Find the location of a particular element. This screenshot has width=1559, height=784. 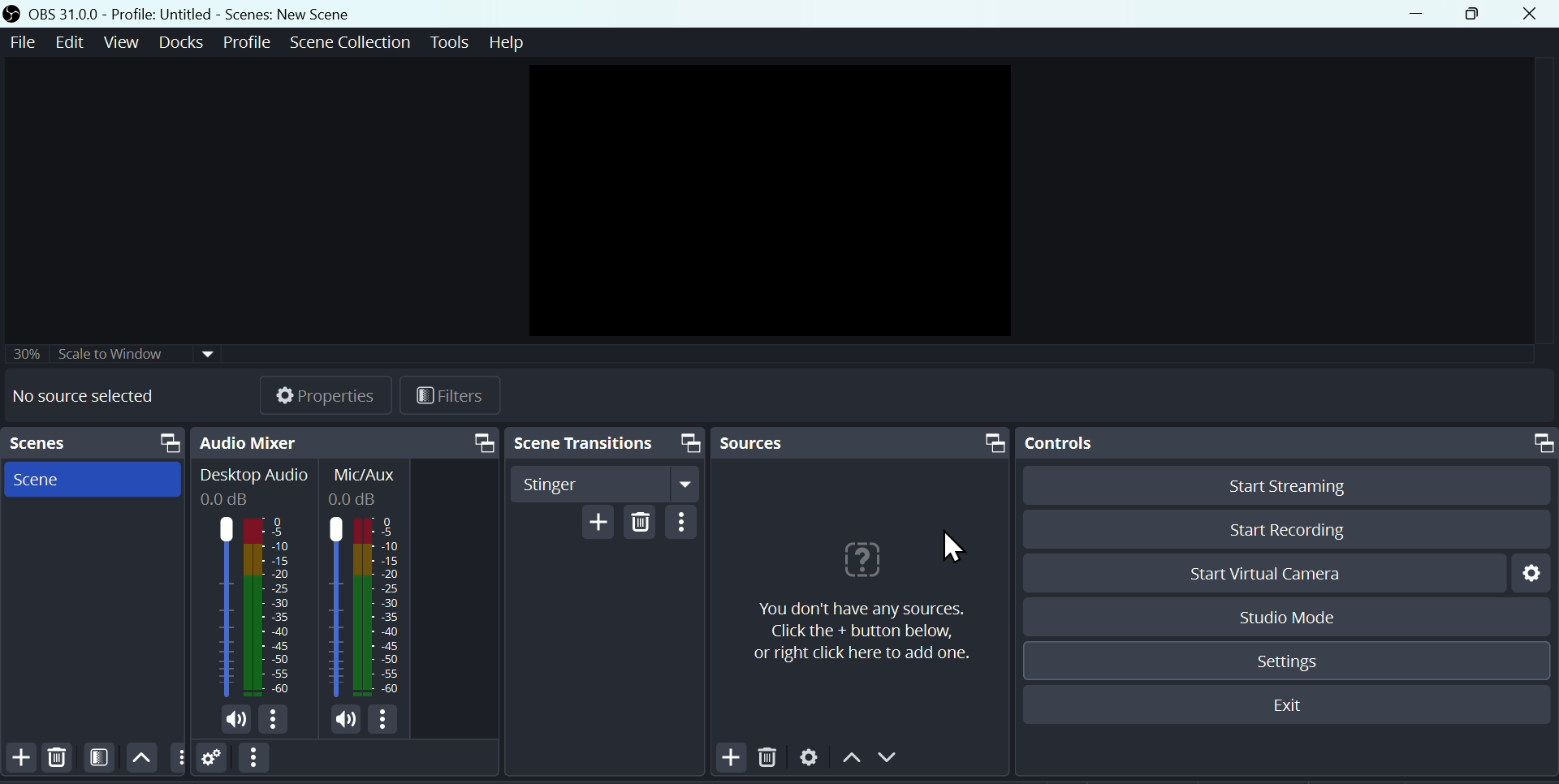

Filter is located at coordinates (101, 760).